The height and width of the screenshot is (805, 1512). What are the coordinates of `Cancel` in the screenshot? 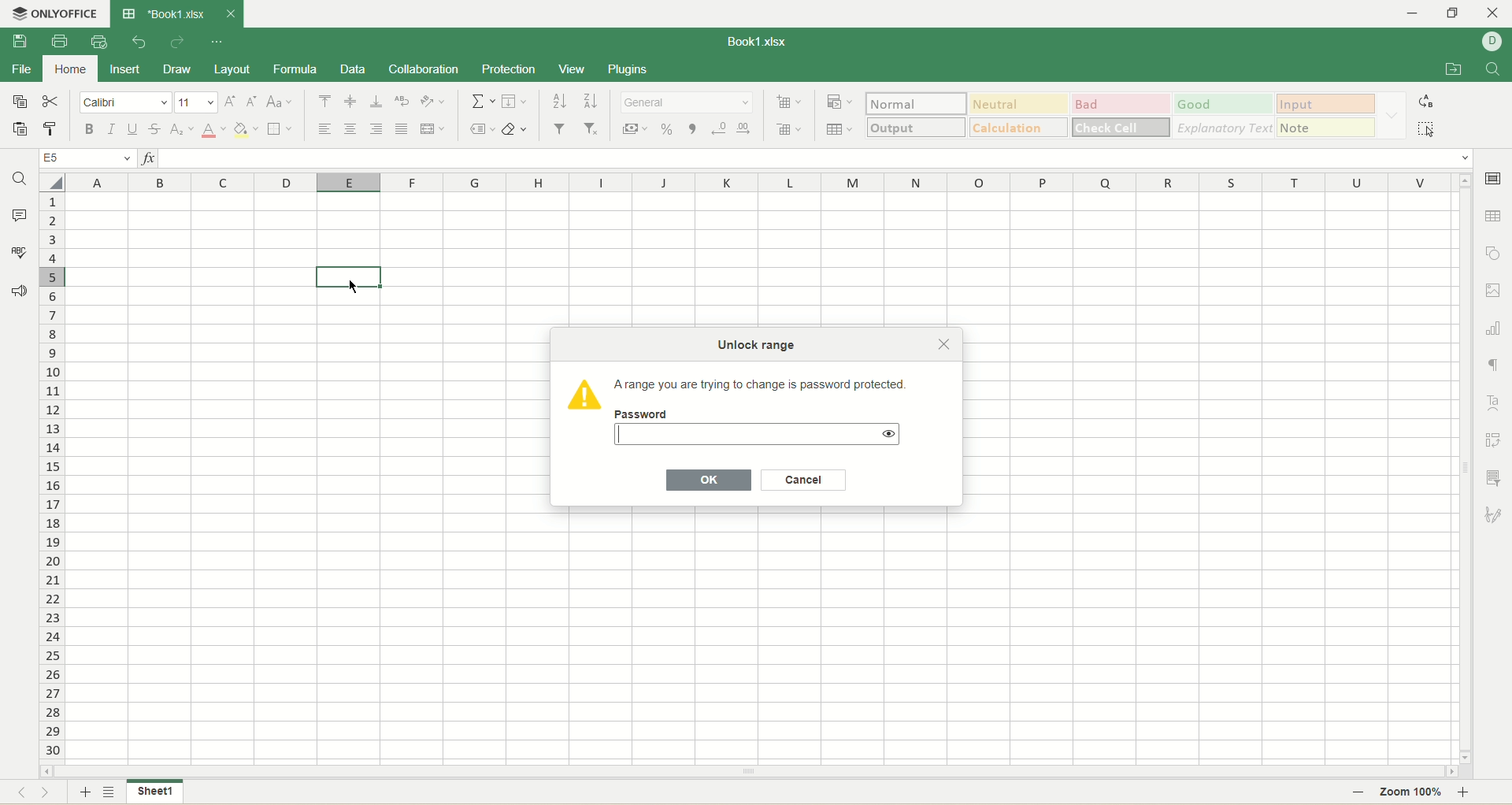 It's located at (810, 481).